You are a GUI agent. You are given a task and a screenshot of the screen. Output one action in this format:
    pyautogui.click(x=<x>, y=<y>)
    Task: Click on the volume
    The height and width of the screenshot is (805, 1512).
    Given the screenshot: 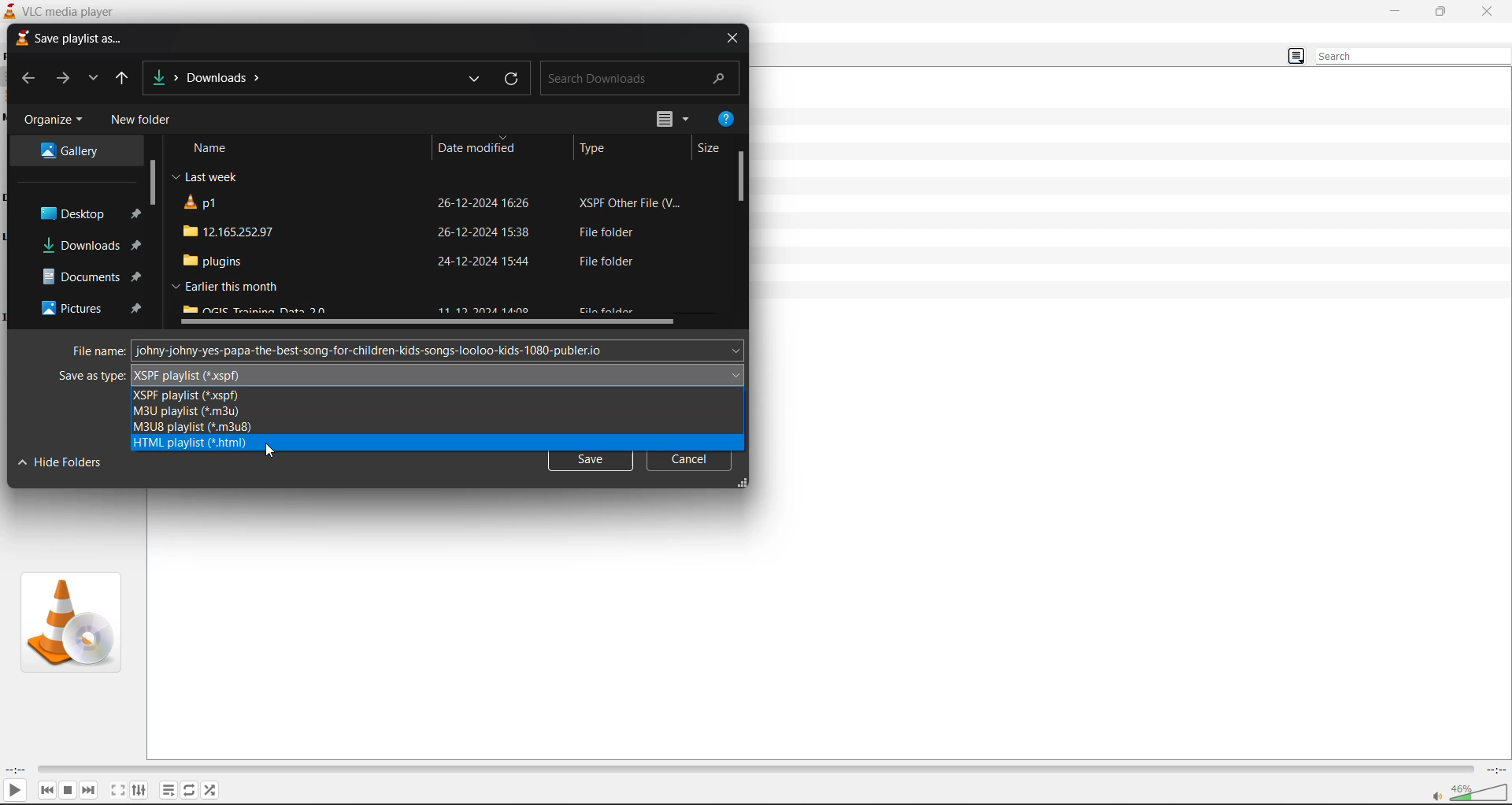 What is the action you would take?
    pyautogui.click(x=1469, y=792)
    